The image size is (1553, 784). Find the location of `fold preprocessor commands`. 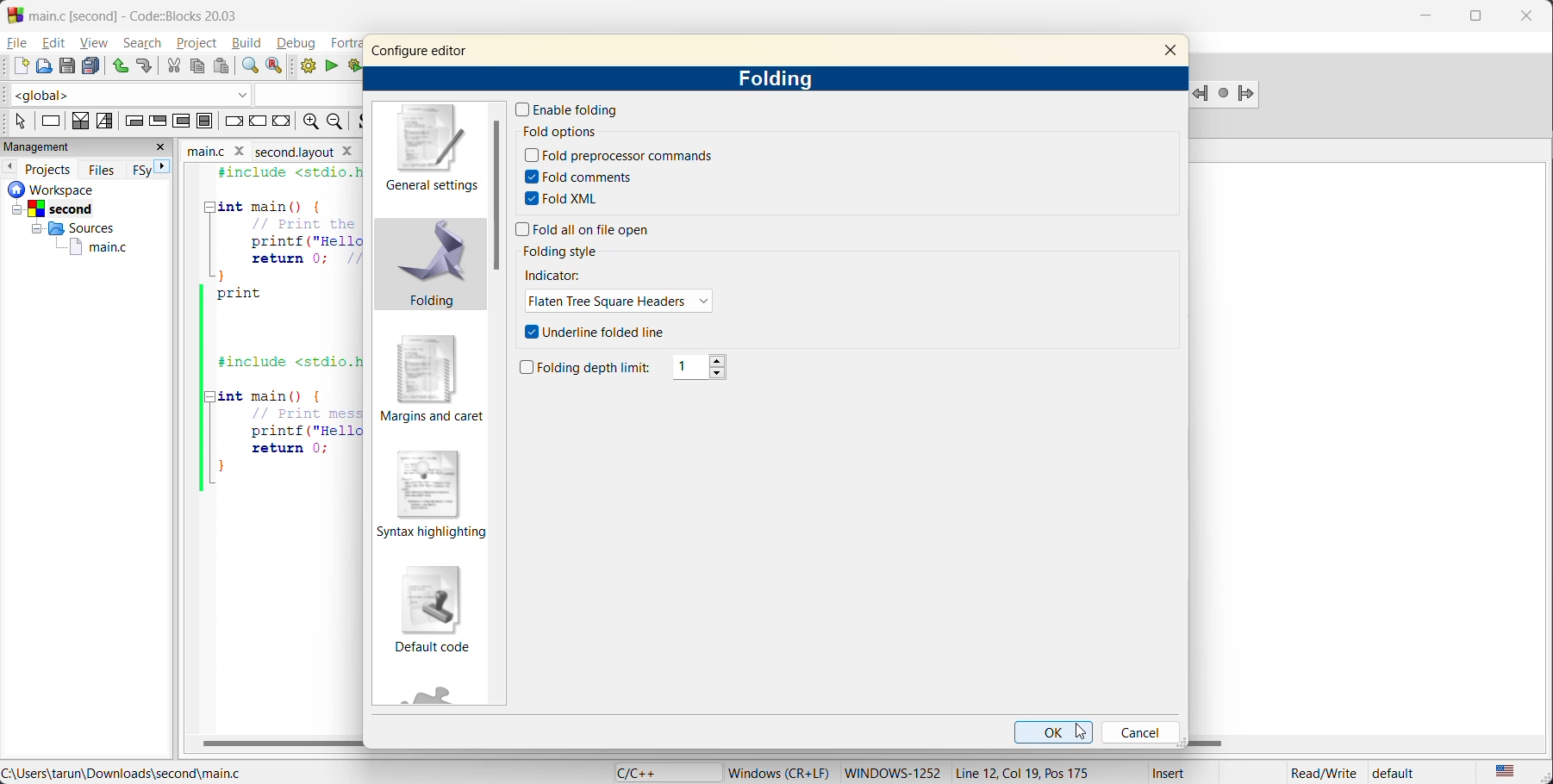

fold preprocessor commands is located at coordinates (621, 156).